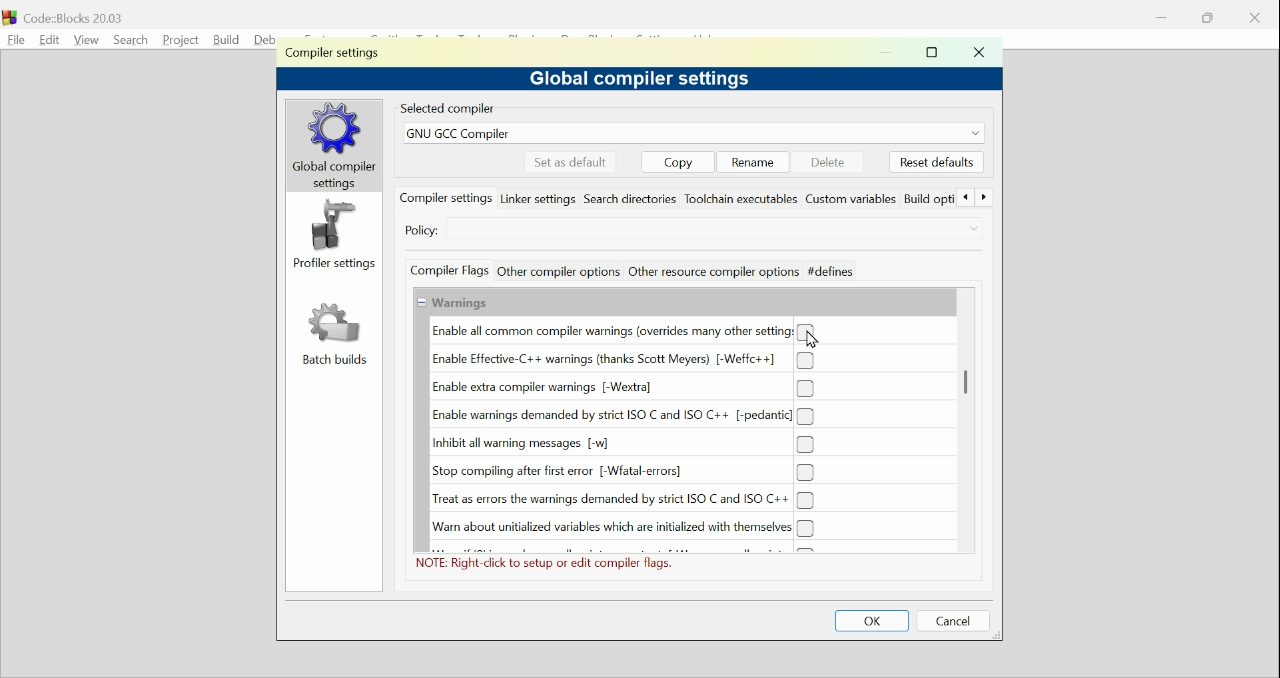 Image resolution: width=1280 pixels, height=678 pixels. Describe the element at coordinates (224, 39) in the screenshot. I see `build` at that location.